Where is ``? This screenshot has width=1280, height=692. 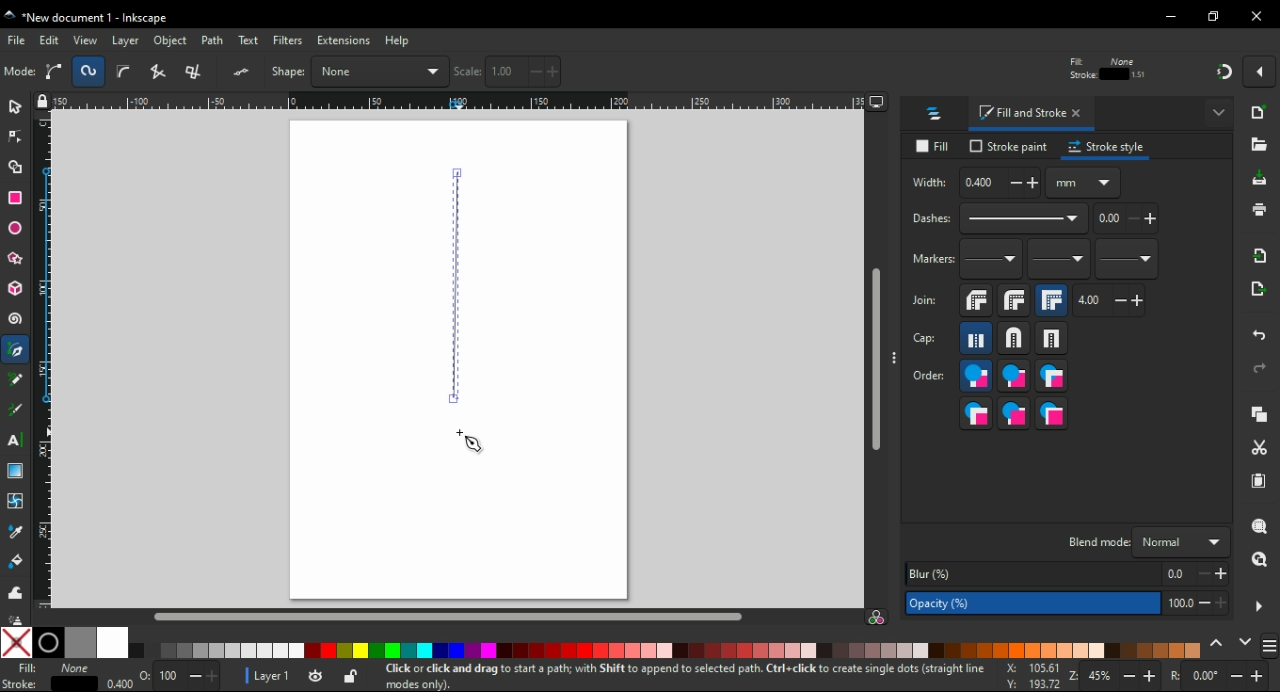  is located at coordinates (1108, 299).